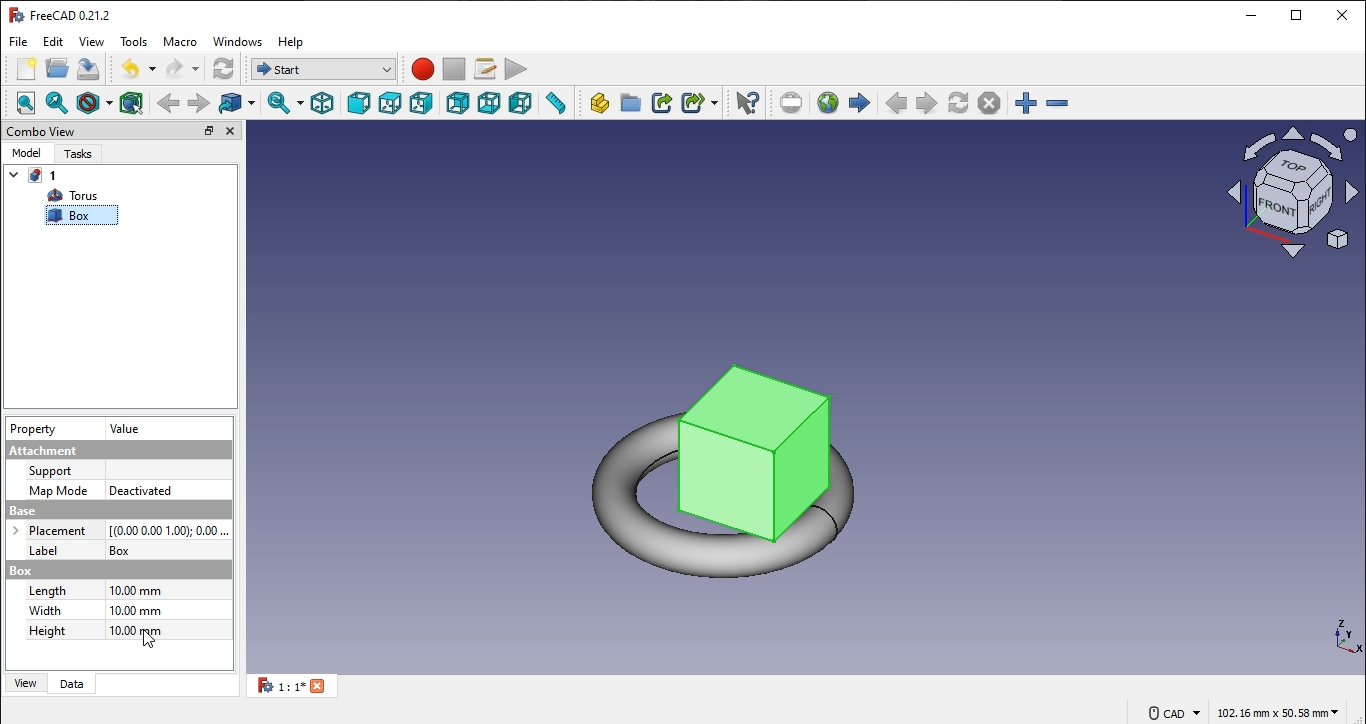  I want to click on macro recording, so click(423, 70).